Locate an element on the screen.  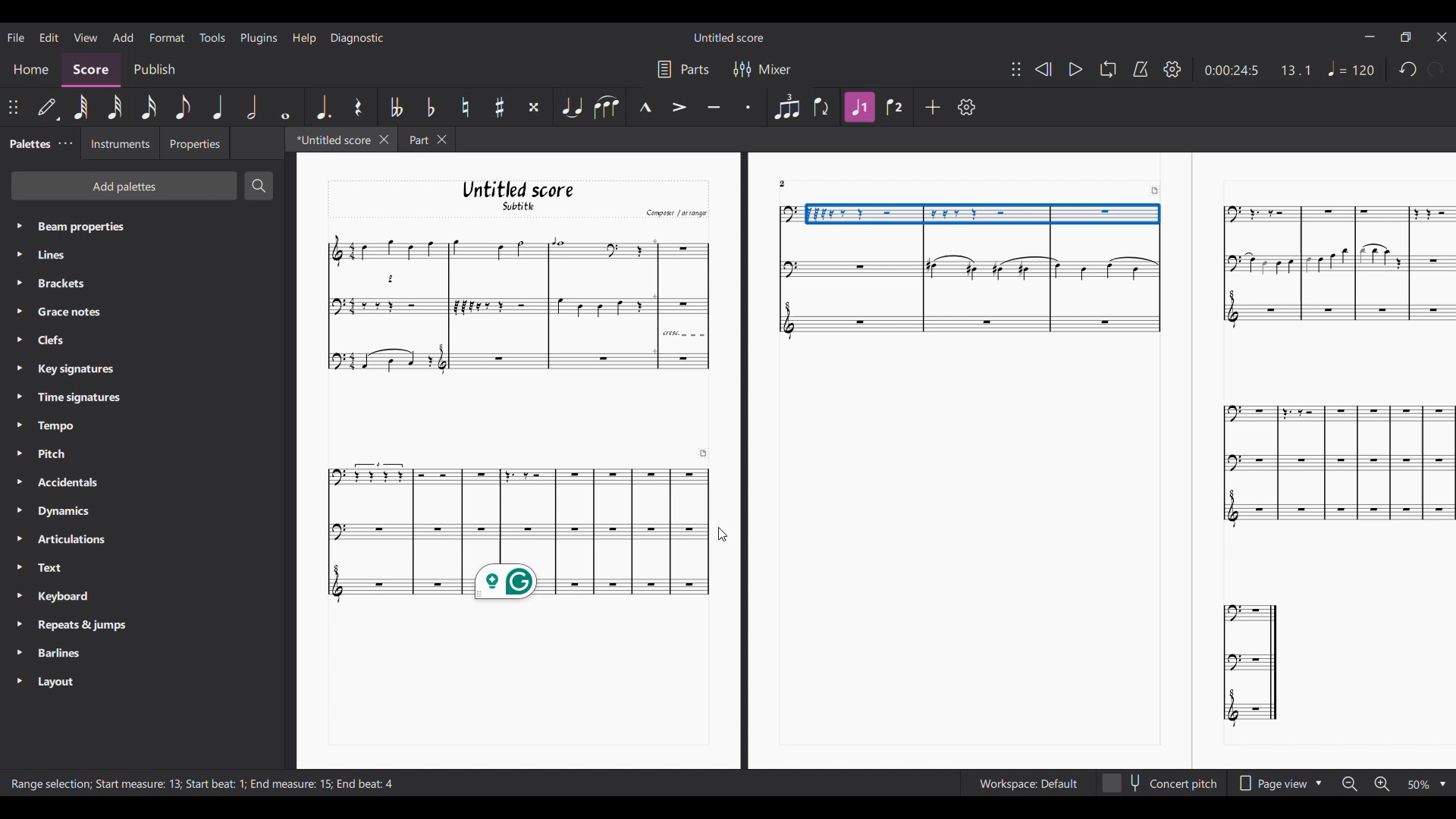
»  Accidentals is located at coordinates (63, 485).